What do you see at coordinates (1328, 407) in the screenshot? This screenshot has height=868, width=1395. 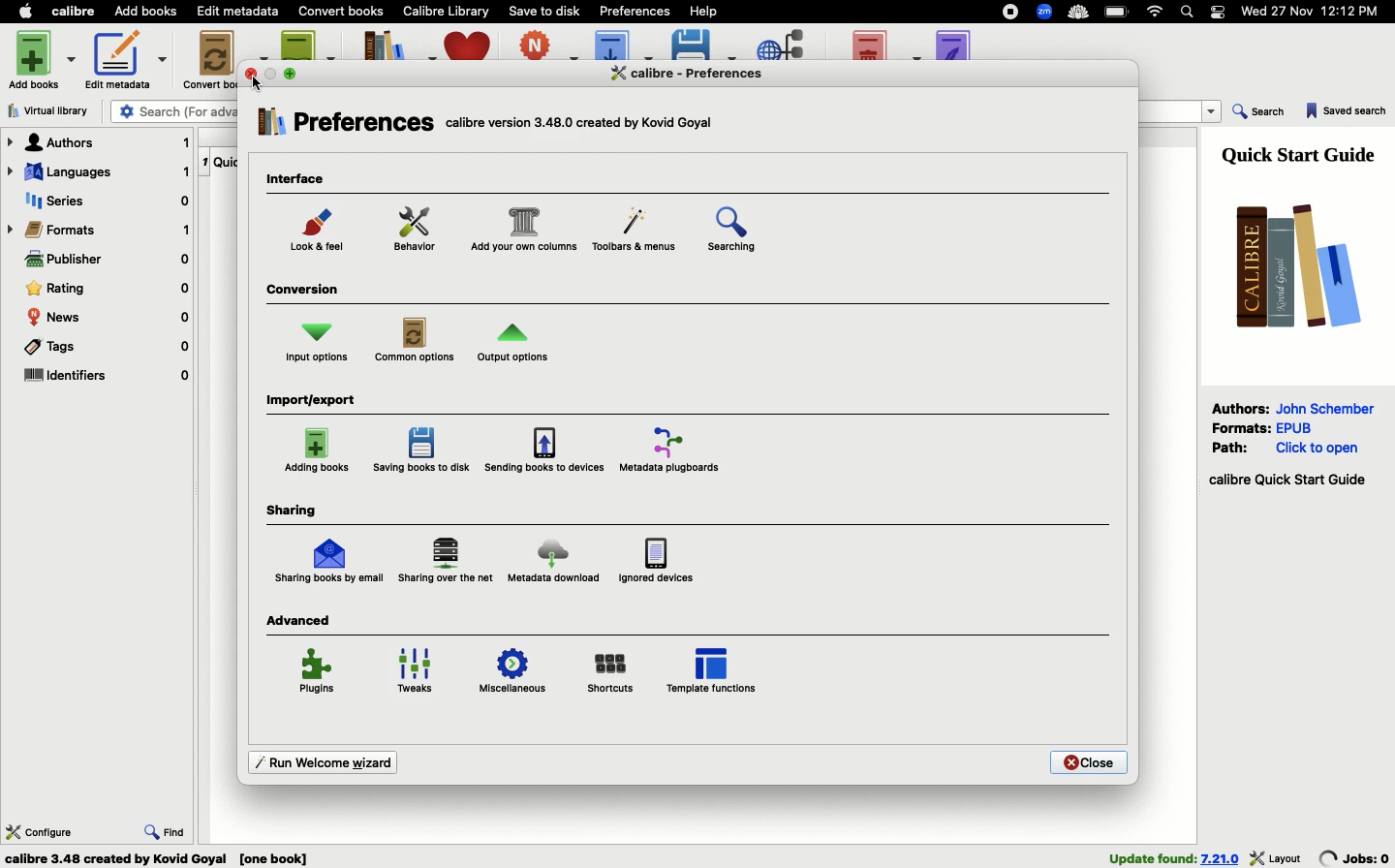 I see `John Schember` at bounding box center [1328, 407].